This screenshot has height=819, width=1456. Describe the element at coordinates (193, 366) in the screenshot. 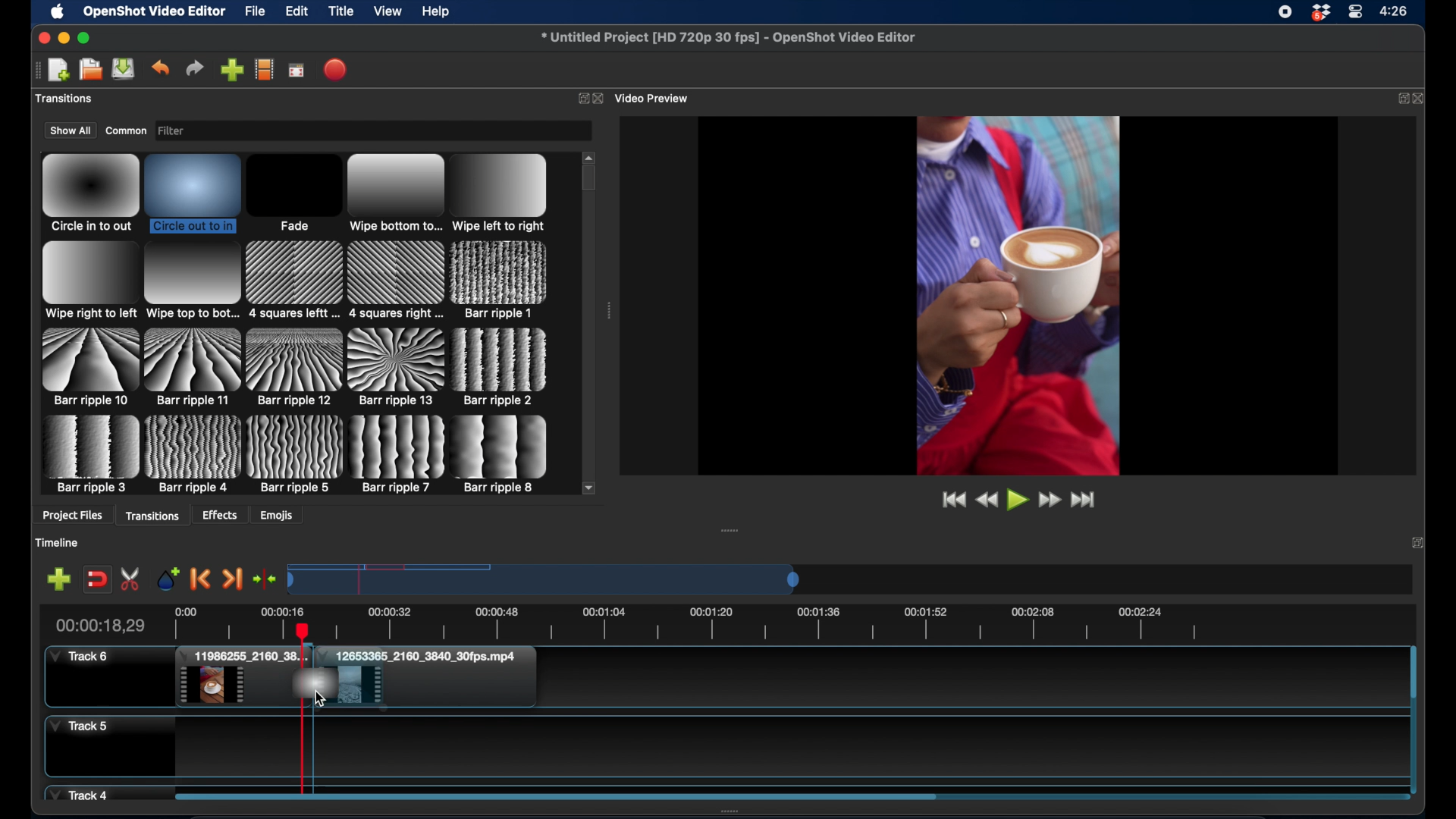

I see `transition` at that location.